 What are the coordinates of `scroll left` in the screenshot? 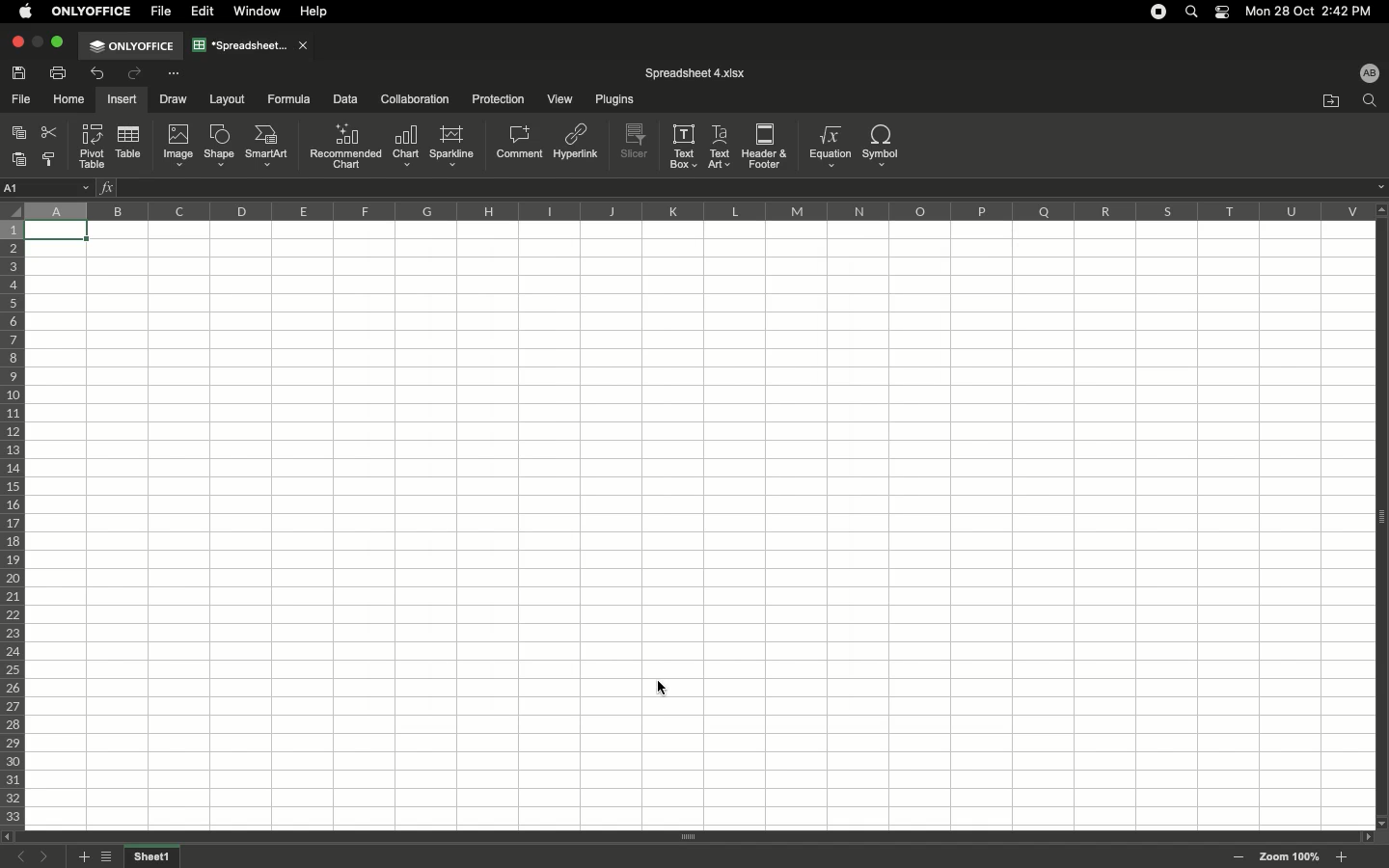 It's located at (9, 837).